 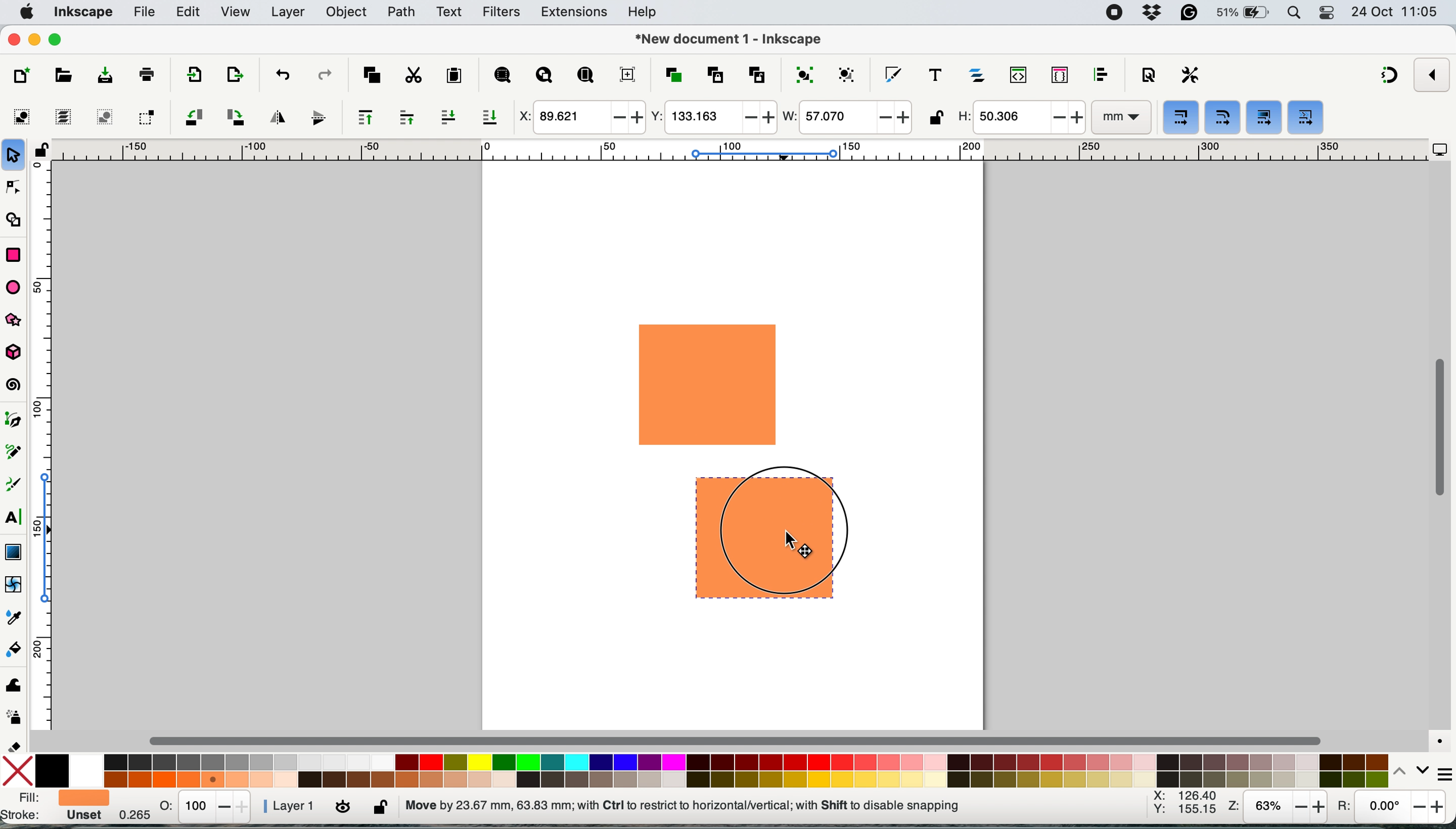 I want to click on rotation, so click(x=1389, y=810).